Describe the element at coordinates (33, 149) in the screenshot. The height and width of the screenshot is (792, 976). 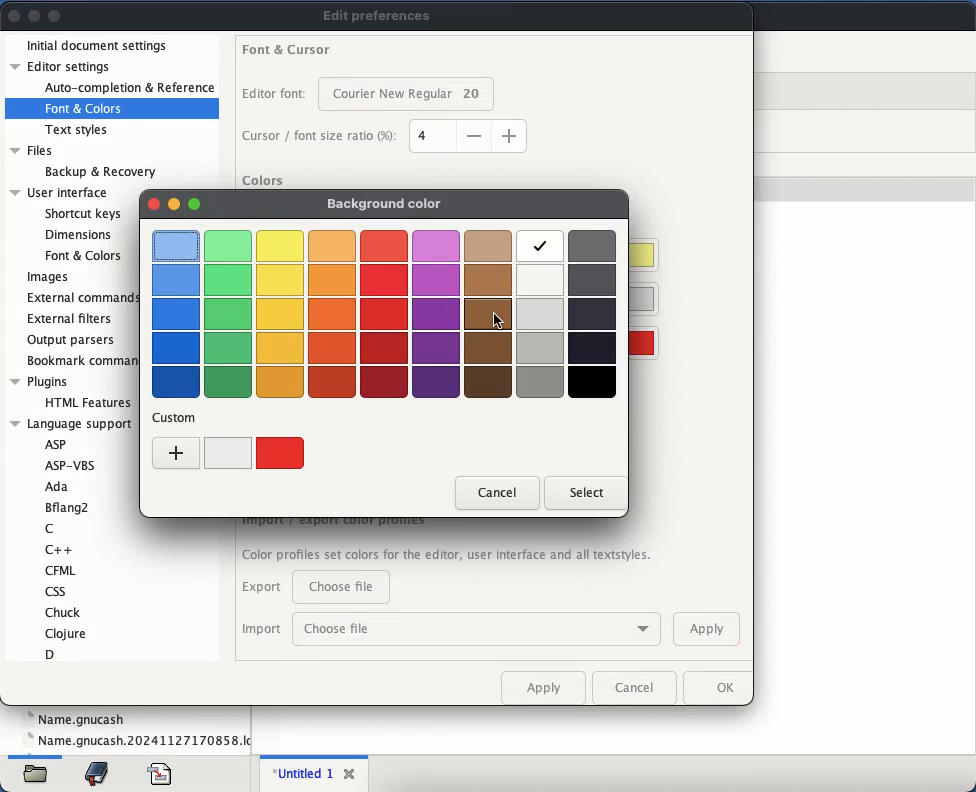
I see `Files` at that location.